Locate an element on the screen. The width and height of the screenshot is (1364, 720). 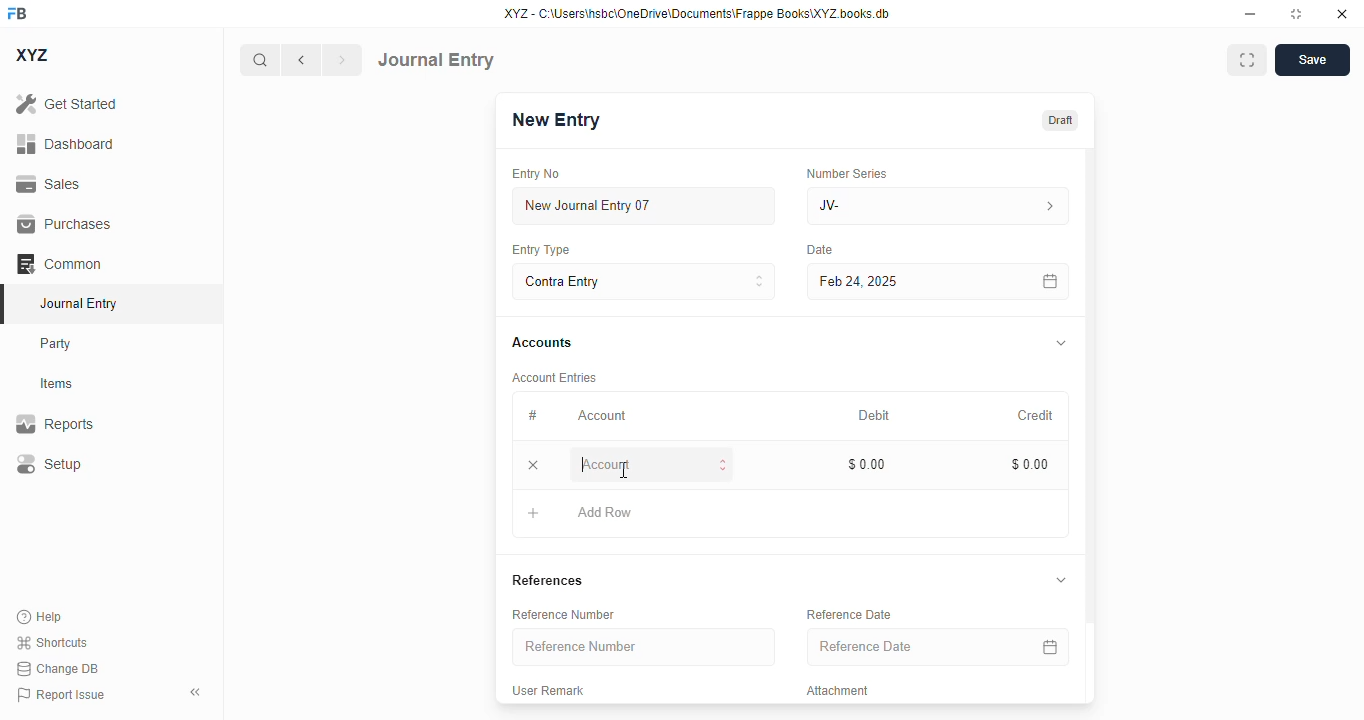
# is located at coordinates (531, 415).